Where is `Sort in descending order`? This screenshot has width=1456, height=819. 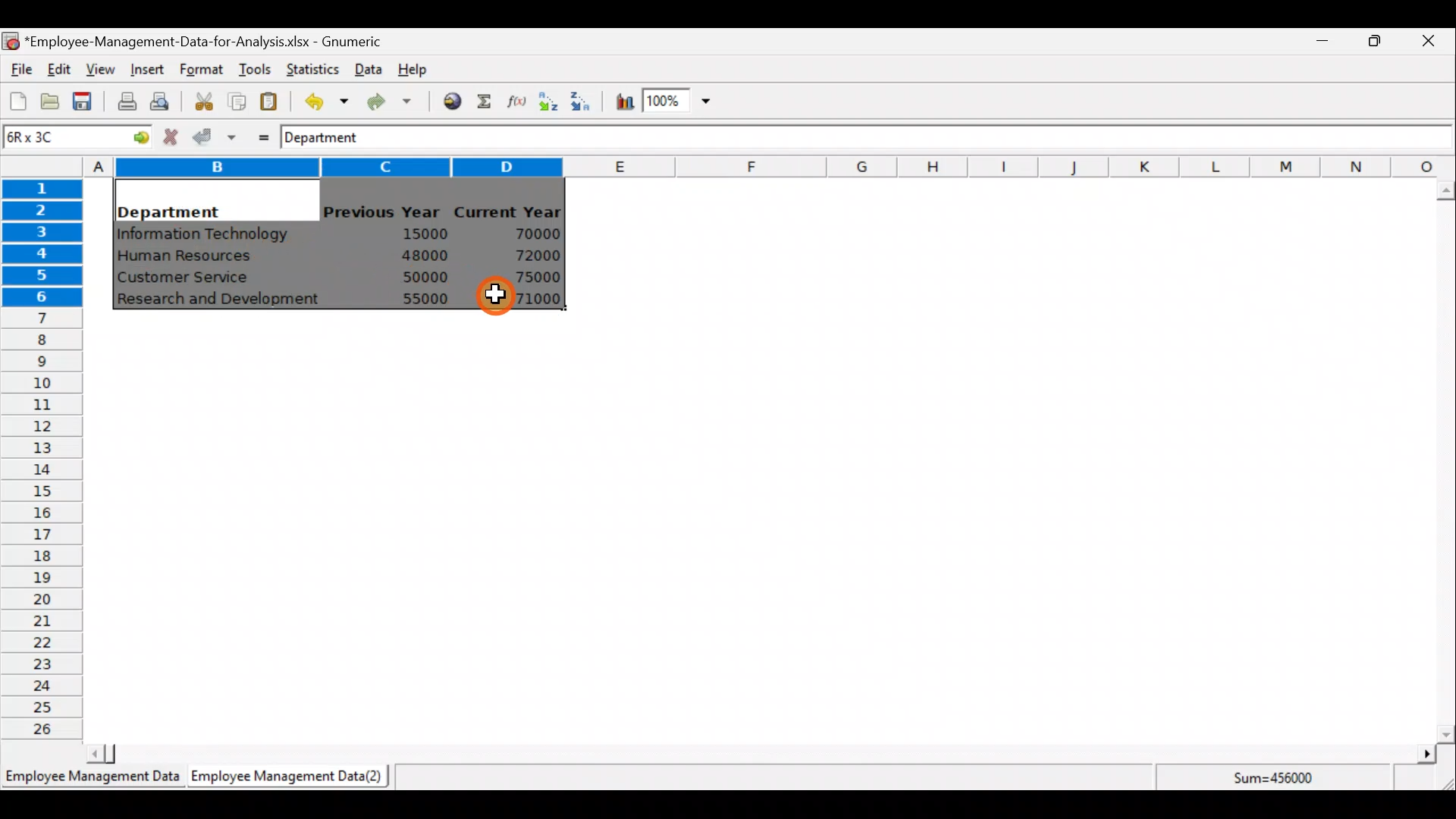 Sort in descending order is located at coordinates (582, 100).